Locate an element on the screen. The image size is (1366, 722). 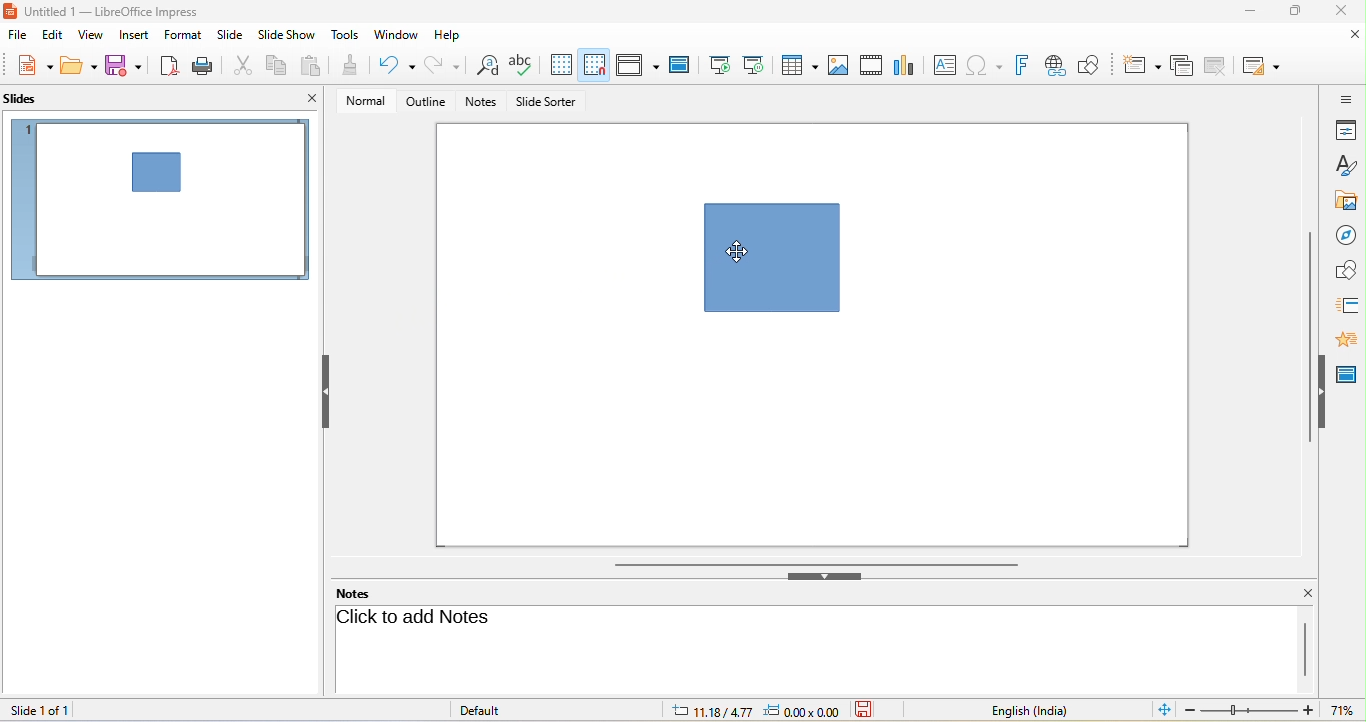
navigator is located at coordinates (1346, 232).